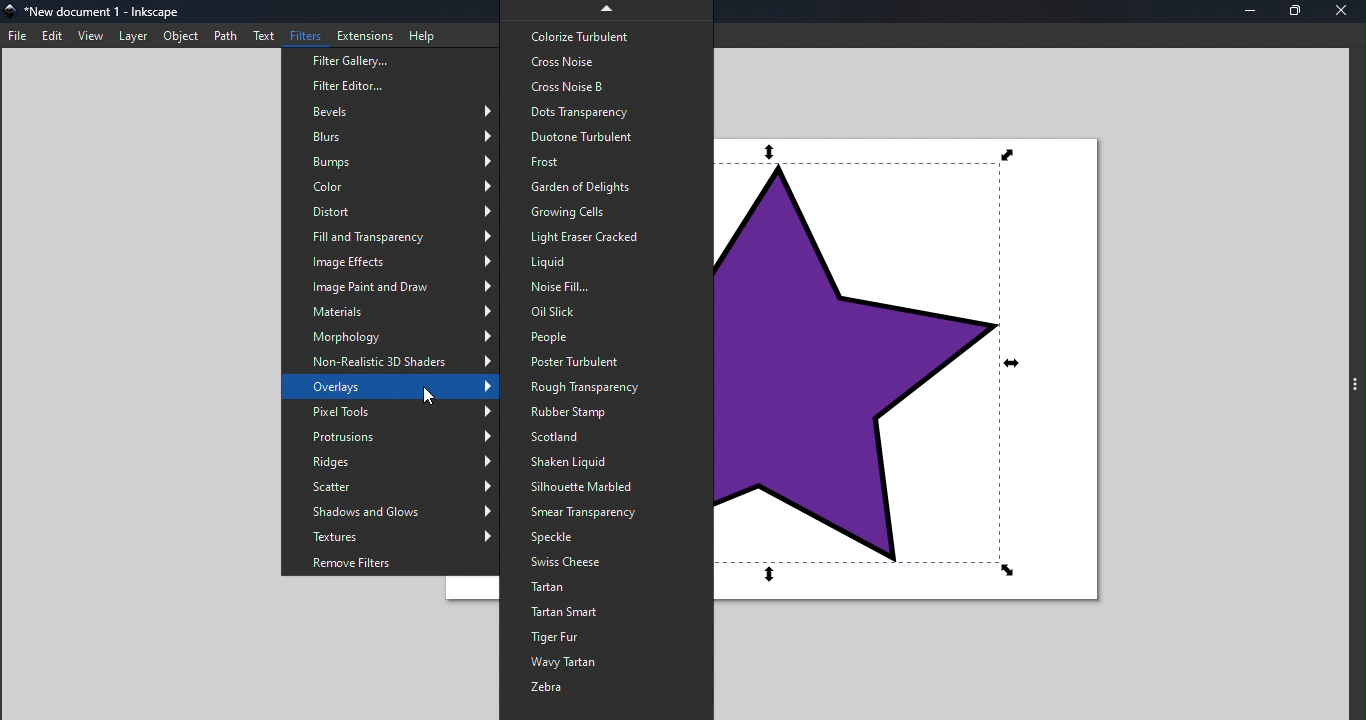 The height and width of the screenshot is (720, 1366). What do you see at coordinates (390, 289) in the screenshot?
I see `Image paint and Draw` at bounding box center [390, 289].